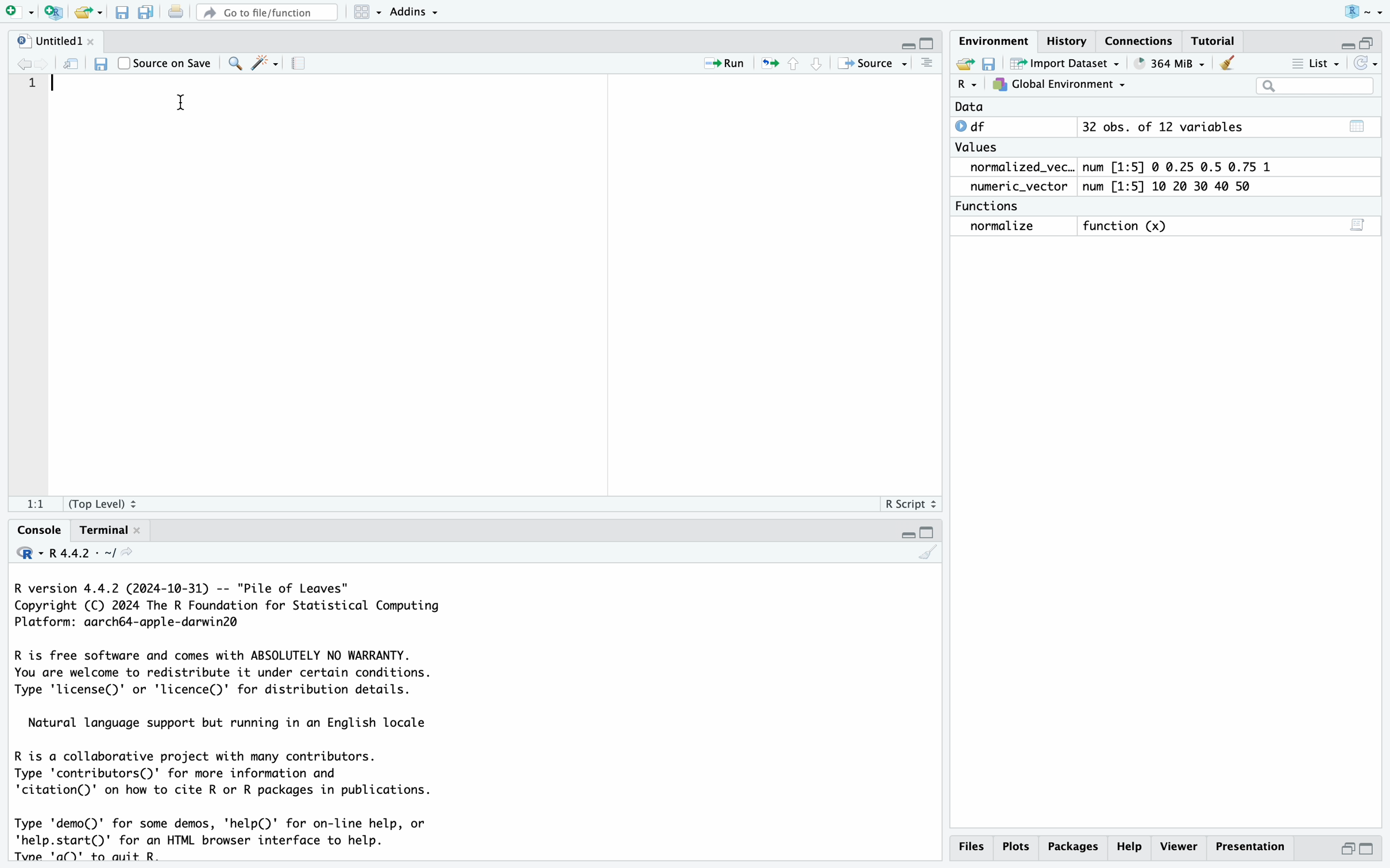 The image size is (1390, 868). What do you see at coordinates (1014, 187) in the screenshot?
I see `Numeric_Vector` at bounding box center [1014, 187].